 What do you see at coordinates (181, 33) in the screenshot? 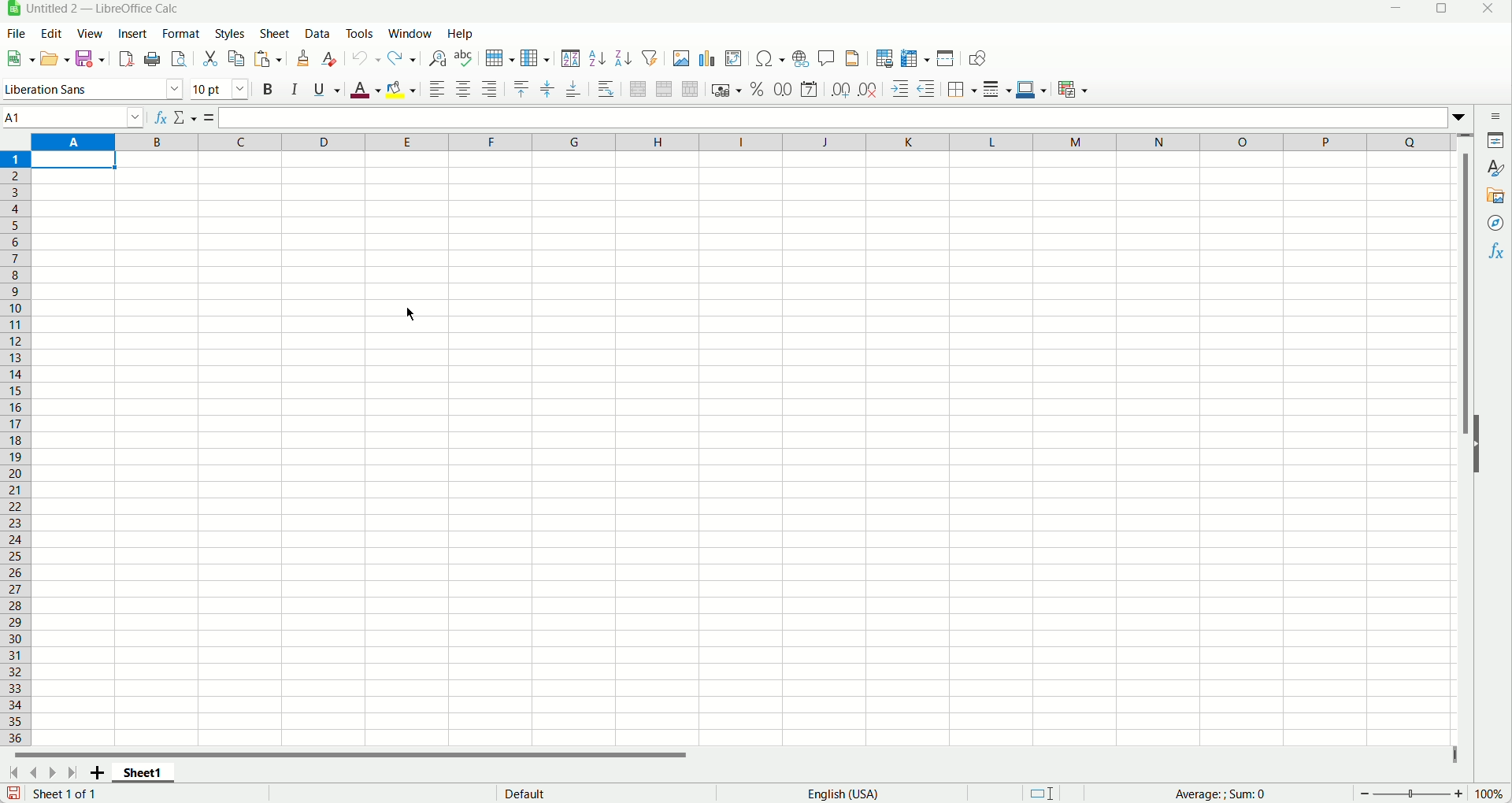
I see `Format` at bounding box center [181, 33].